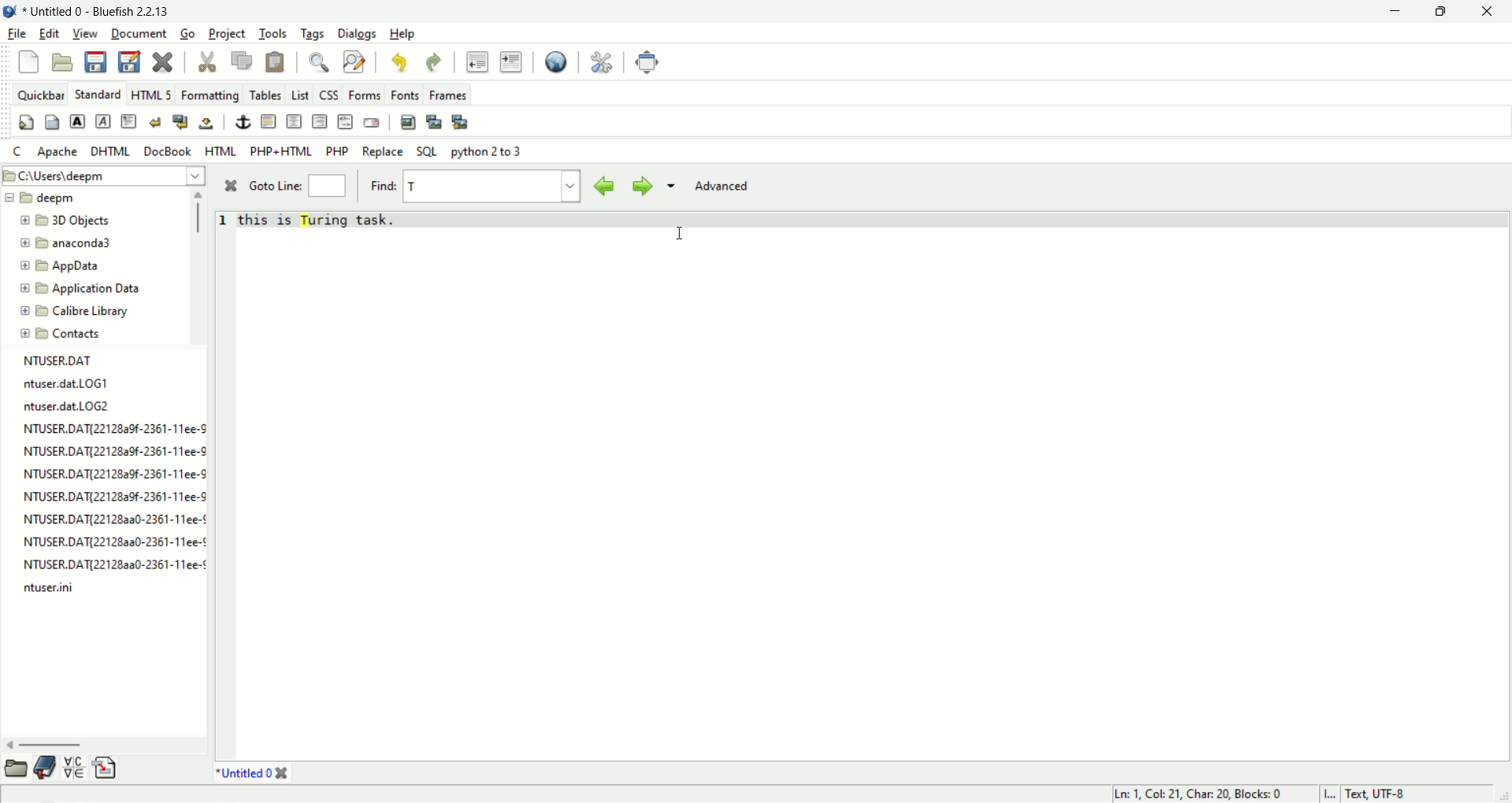 The height and width of the screenshot is (803, 1512). What do you see at coordinates (448, 94) in the screenshot?
I see `Frames` at bounding box center [448, 94].